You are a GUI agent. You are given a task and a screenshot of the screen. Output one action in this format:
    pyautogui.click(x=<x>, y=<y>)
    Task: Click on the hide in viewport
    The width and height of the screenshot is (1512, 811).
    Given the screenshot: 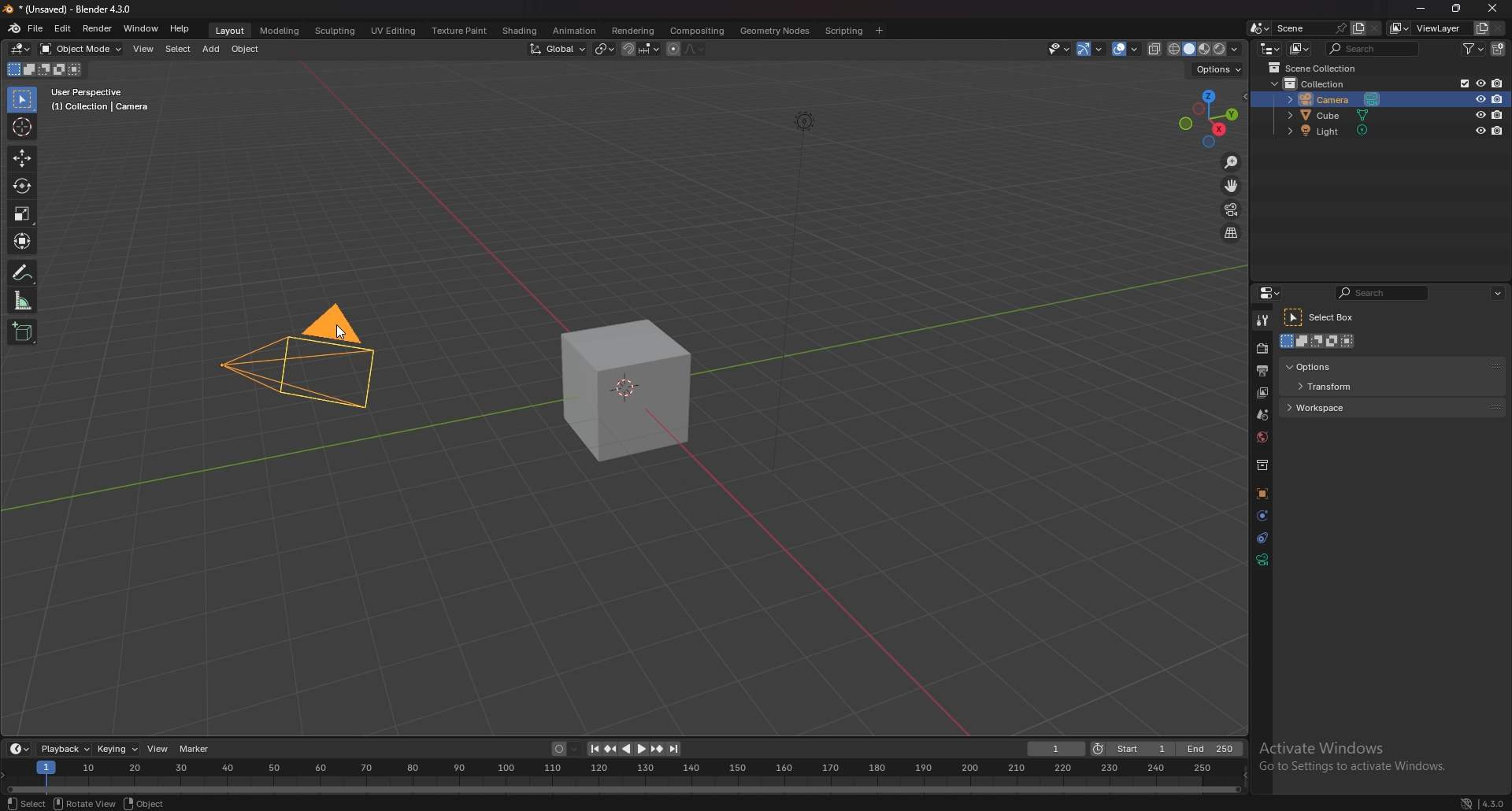 What is the action you would take?
    pyautogui.click(x=1478, y=100)
    